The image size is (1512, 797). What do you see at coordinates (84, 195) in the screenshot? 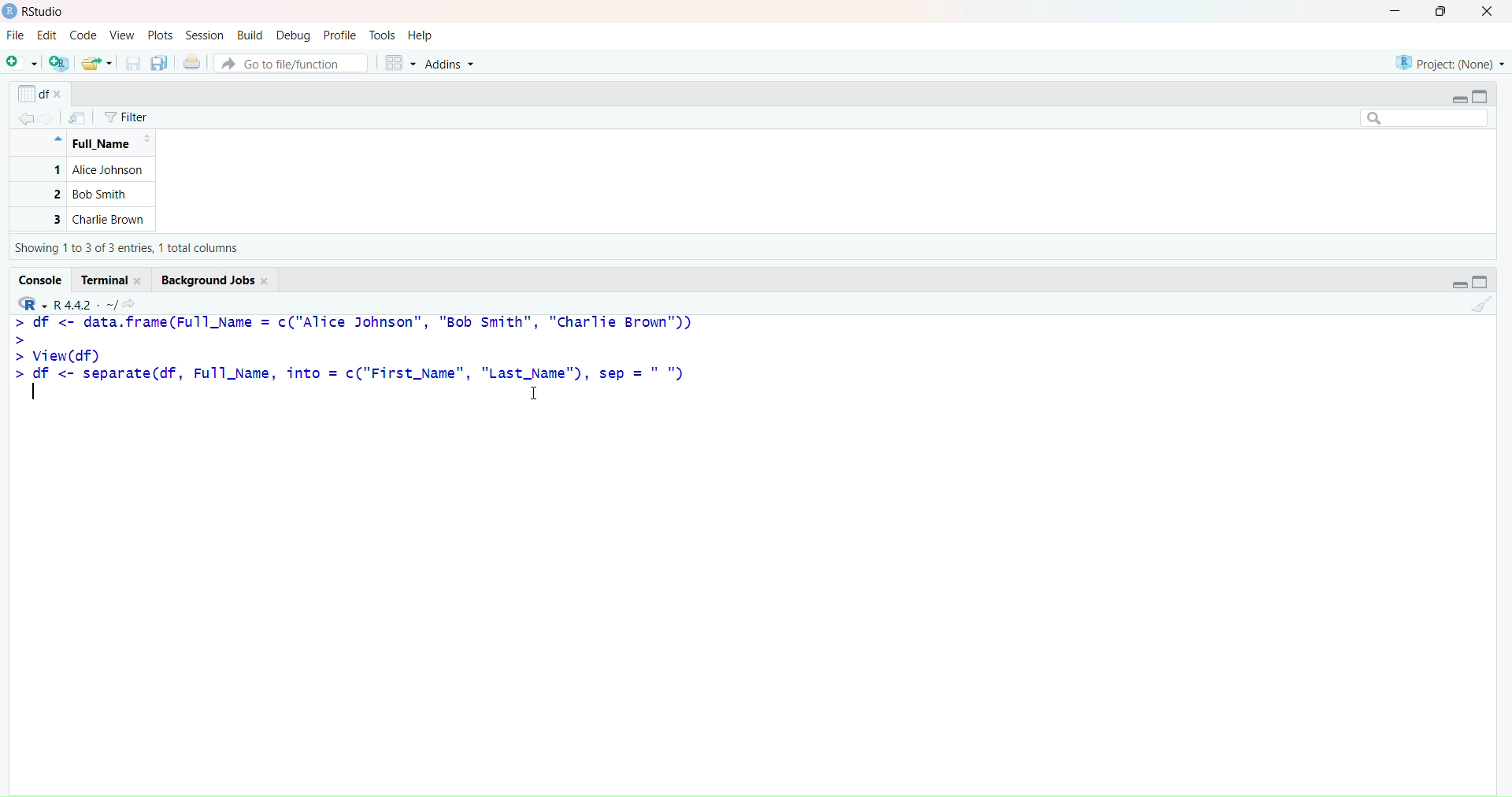
I see `1 Alice Johnson
2 Bob Smith
3 Charlie Brown` at bounding box center [84, 195].